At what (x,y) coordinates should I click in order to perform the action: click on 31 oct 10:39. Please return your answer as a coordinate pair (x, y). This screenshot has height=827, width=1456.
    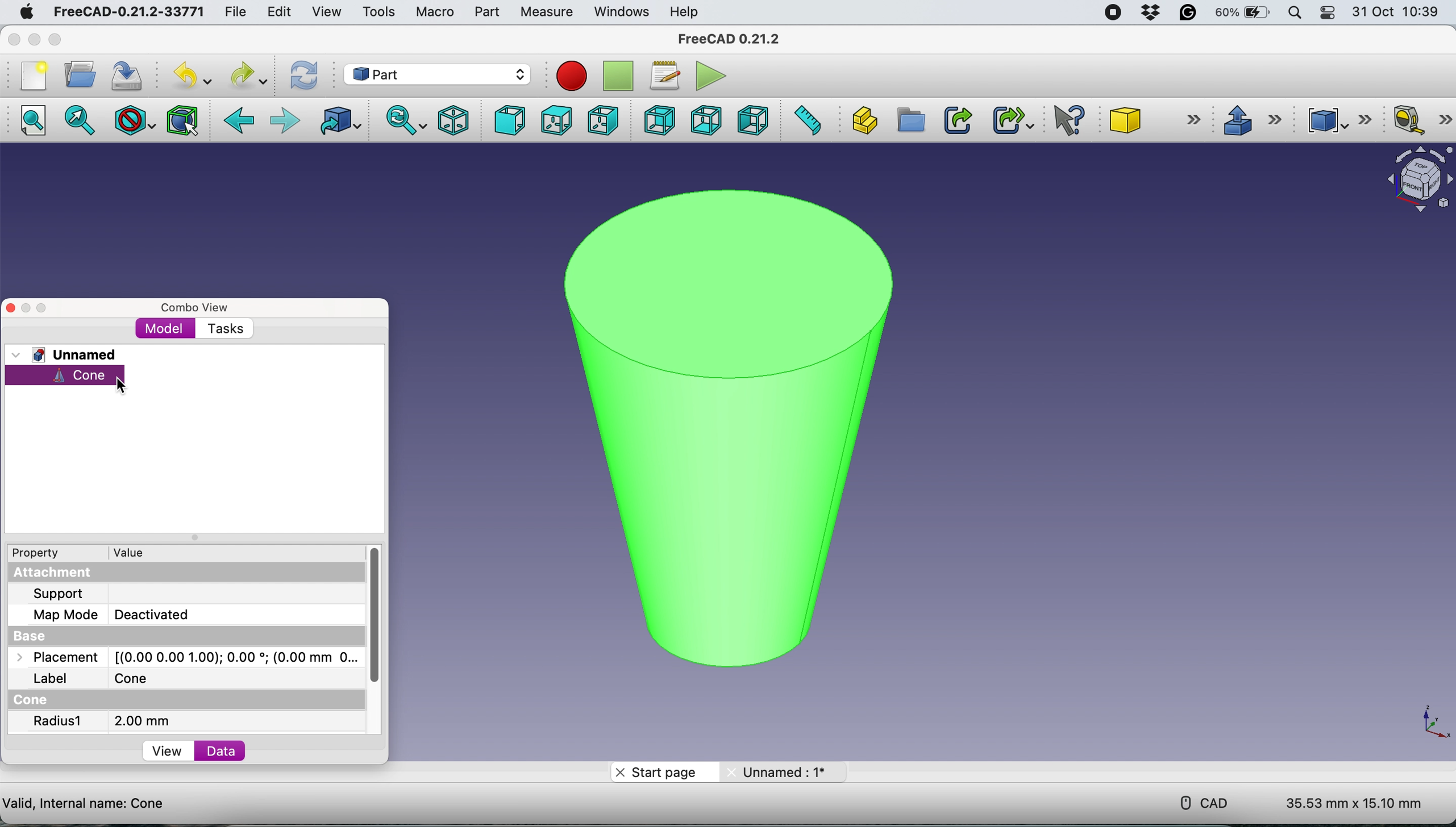
    Looking at the image, I should click on (1401, 12).